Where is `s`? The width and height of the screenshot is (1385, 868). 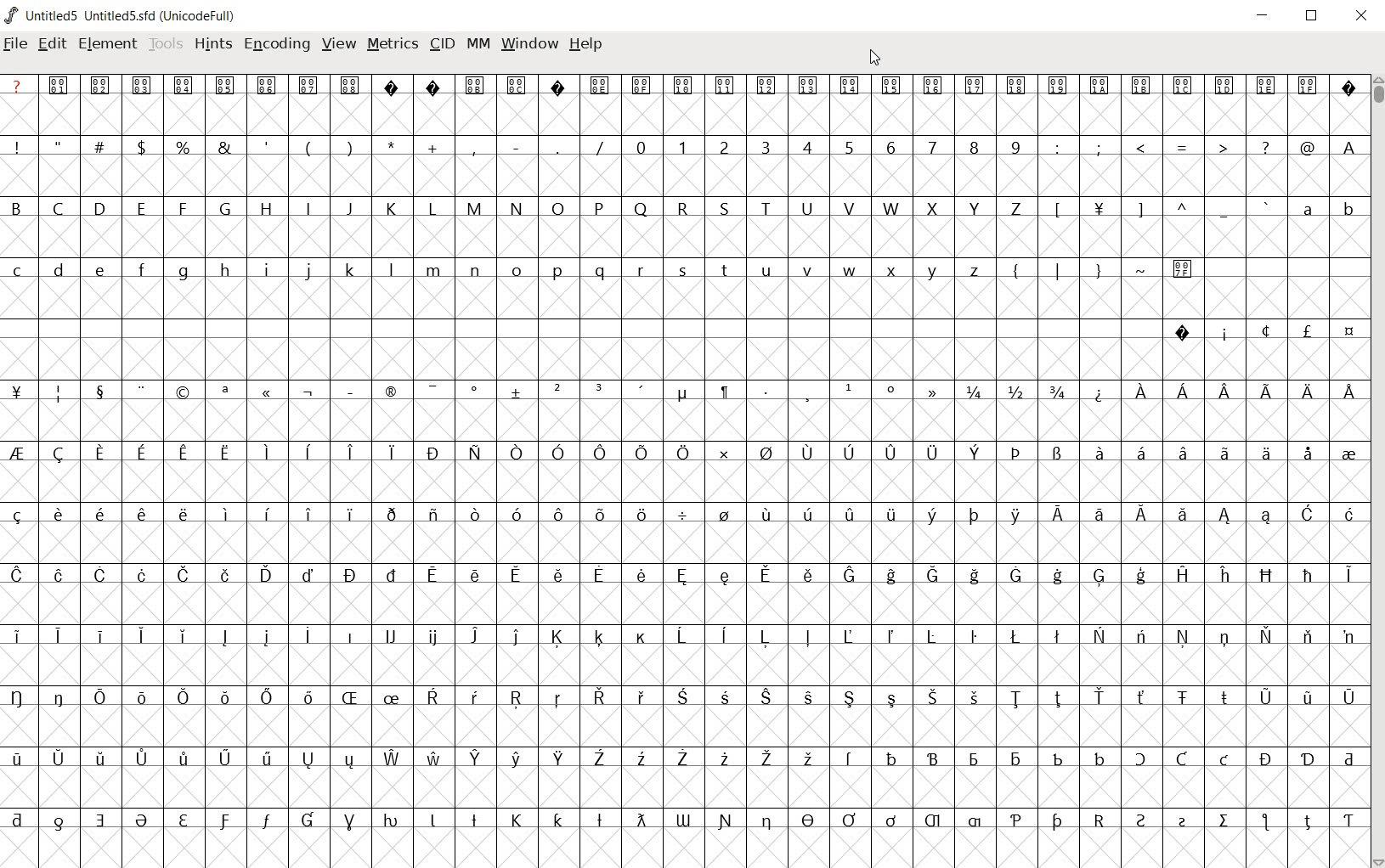 s is located at coordinates (682, 268).